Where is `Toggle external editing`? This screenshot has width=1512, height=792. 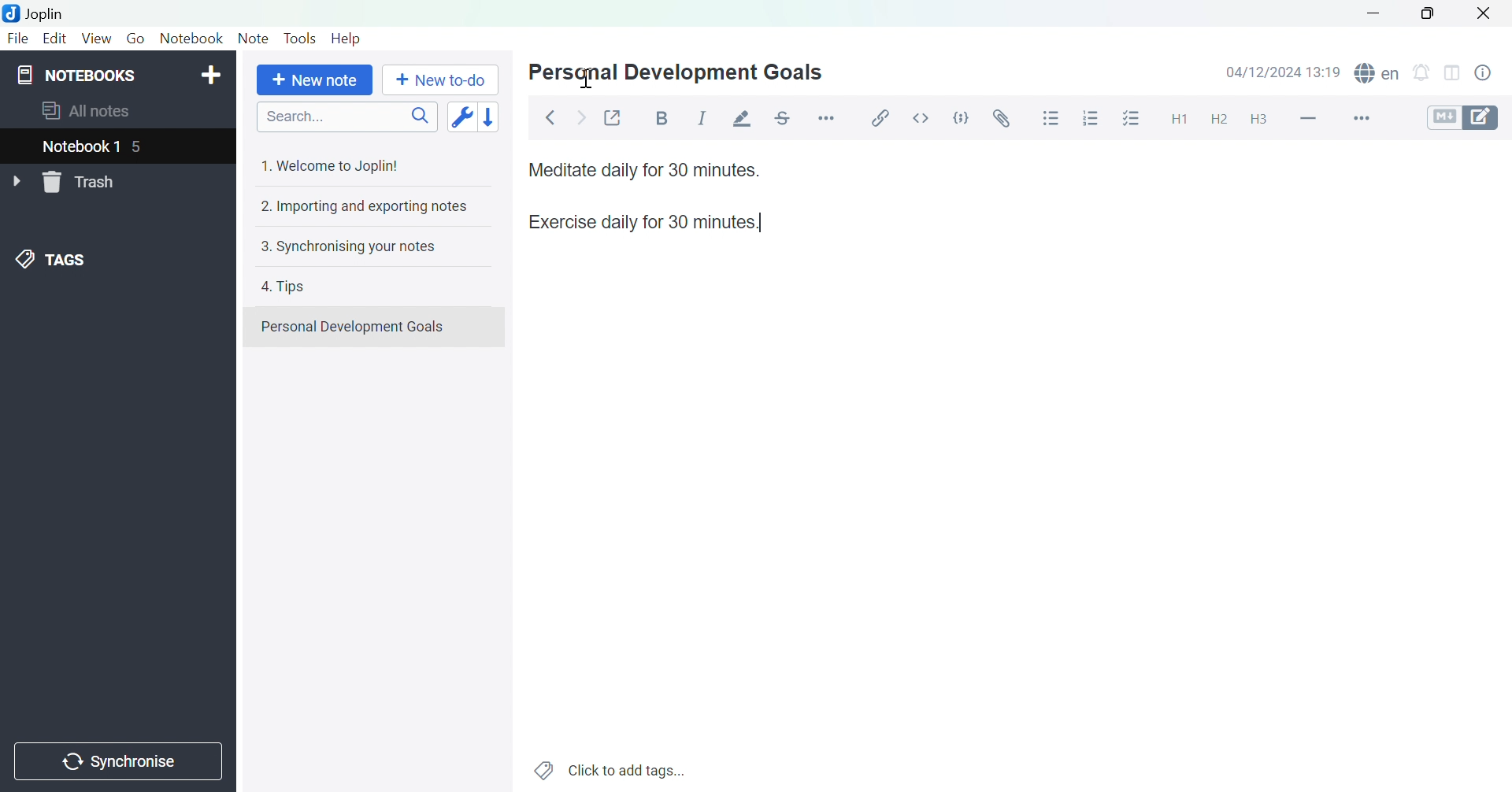
Toggle external editing is located at coordinates (613, 117).